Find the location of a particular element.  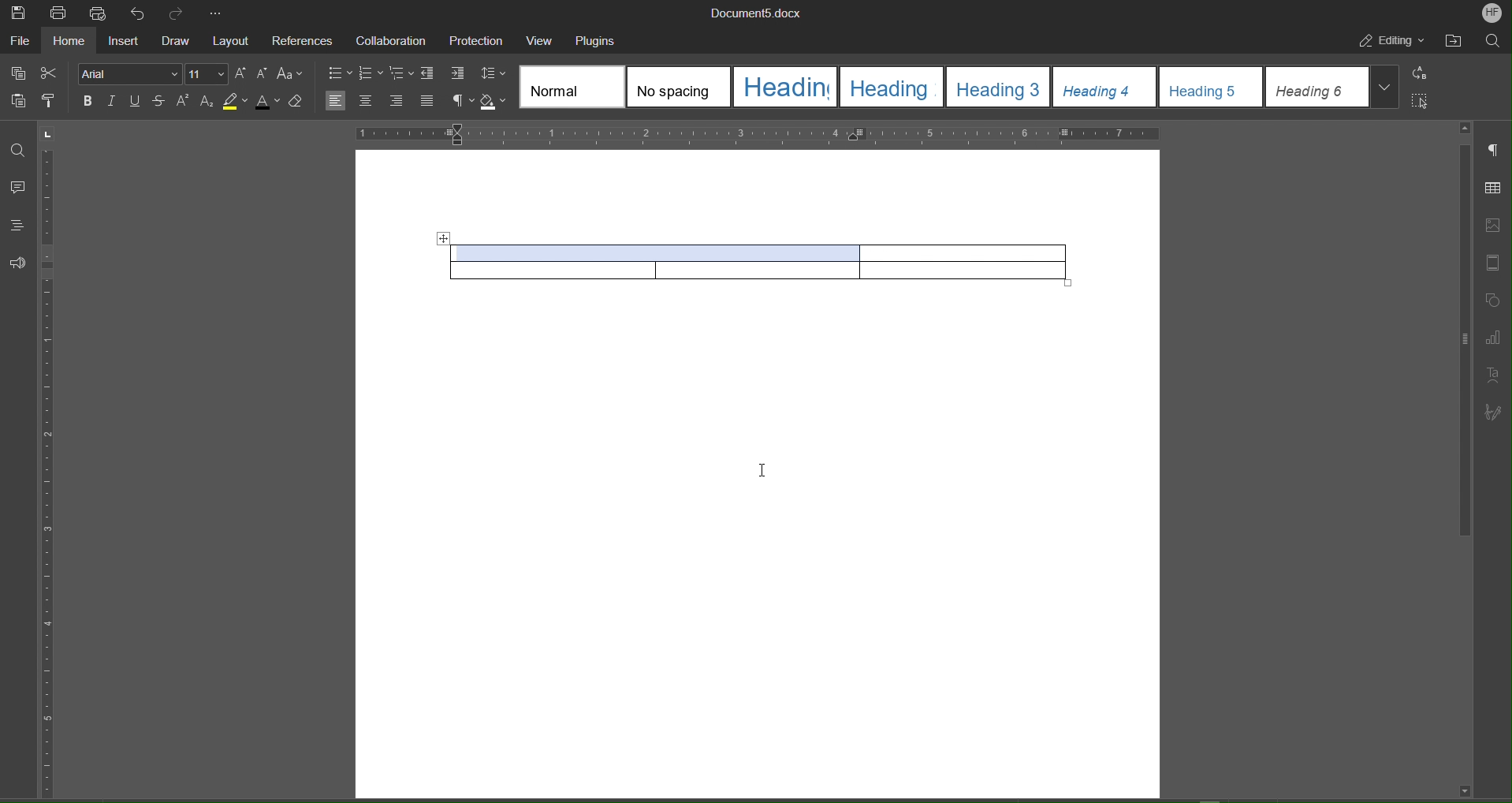

Collaboration is located at coordinates (391, 41).